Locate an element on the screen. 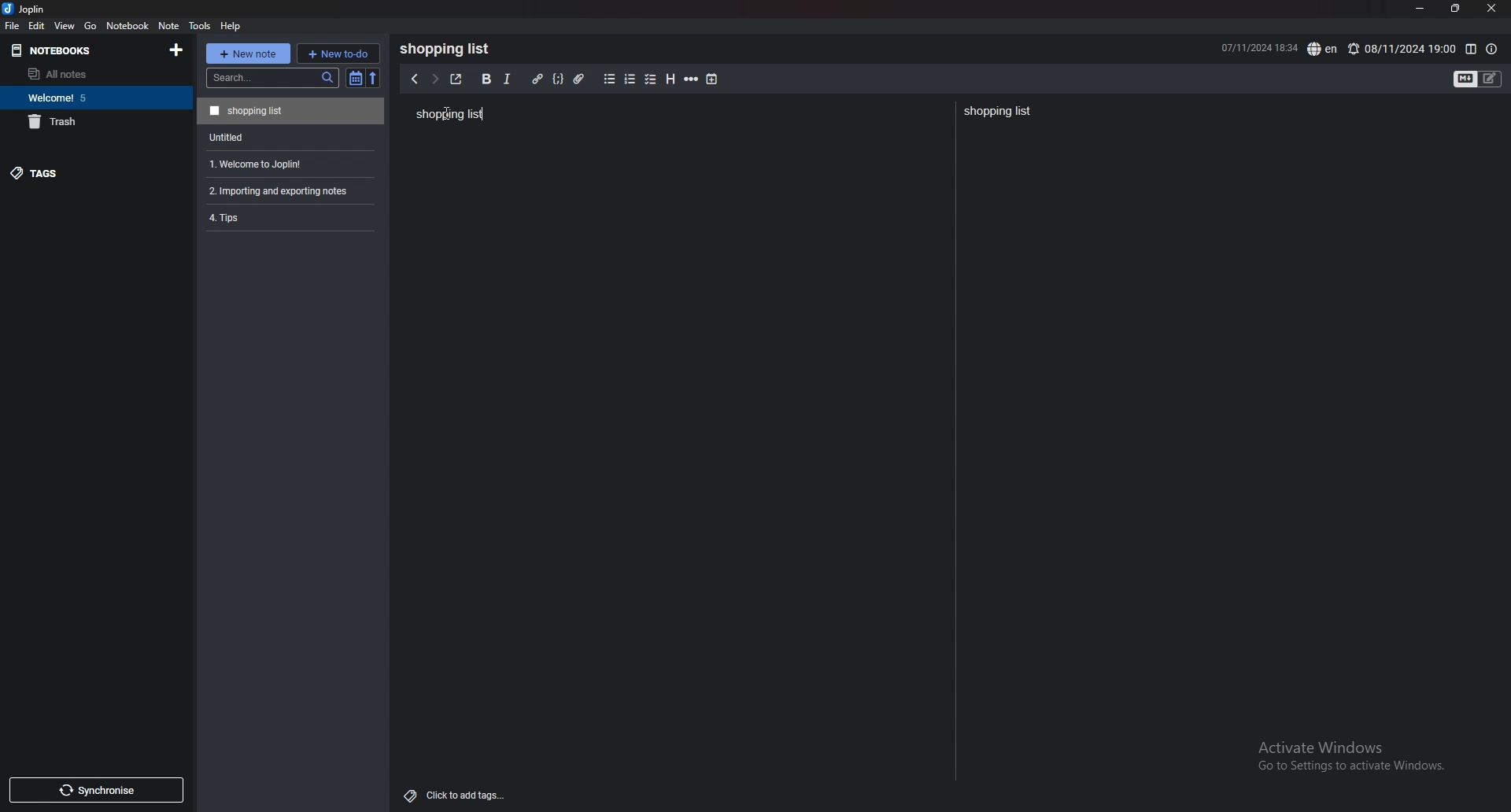 This screenshot has width=1511, height=812. minimize is located at coordinates (1420, 9).